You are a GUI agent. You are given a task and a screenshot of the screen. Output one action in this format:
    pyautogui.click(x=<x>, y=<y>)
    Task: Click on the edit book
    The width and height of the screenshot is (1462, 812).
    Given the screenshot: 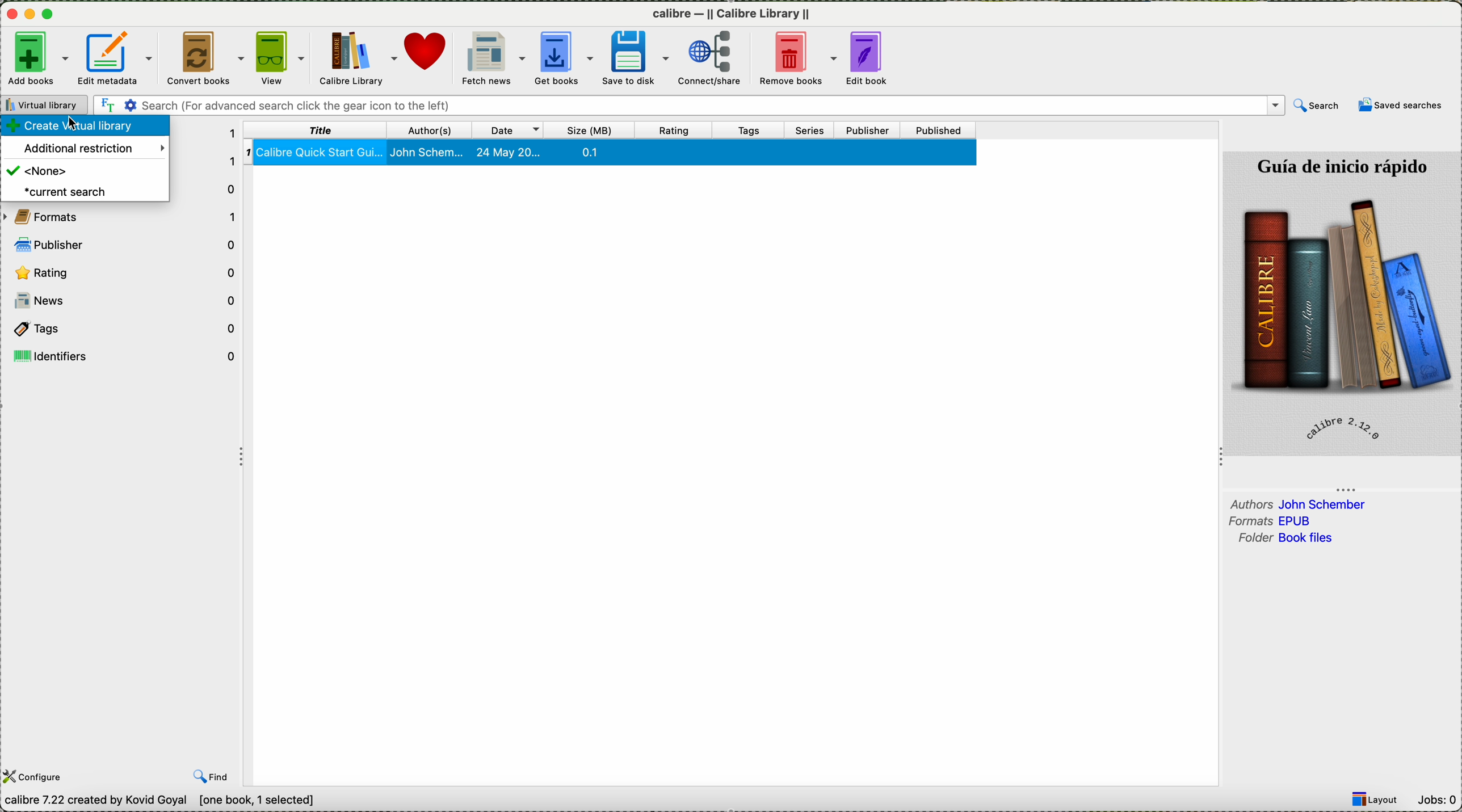 What is the action you would take?
    pyautogui.click(x=875, y=58)
    